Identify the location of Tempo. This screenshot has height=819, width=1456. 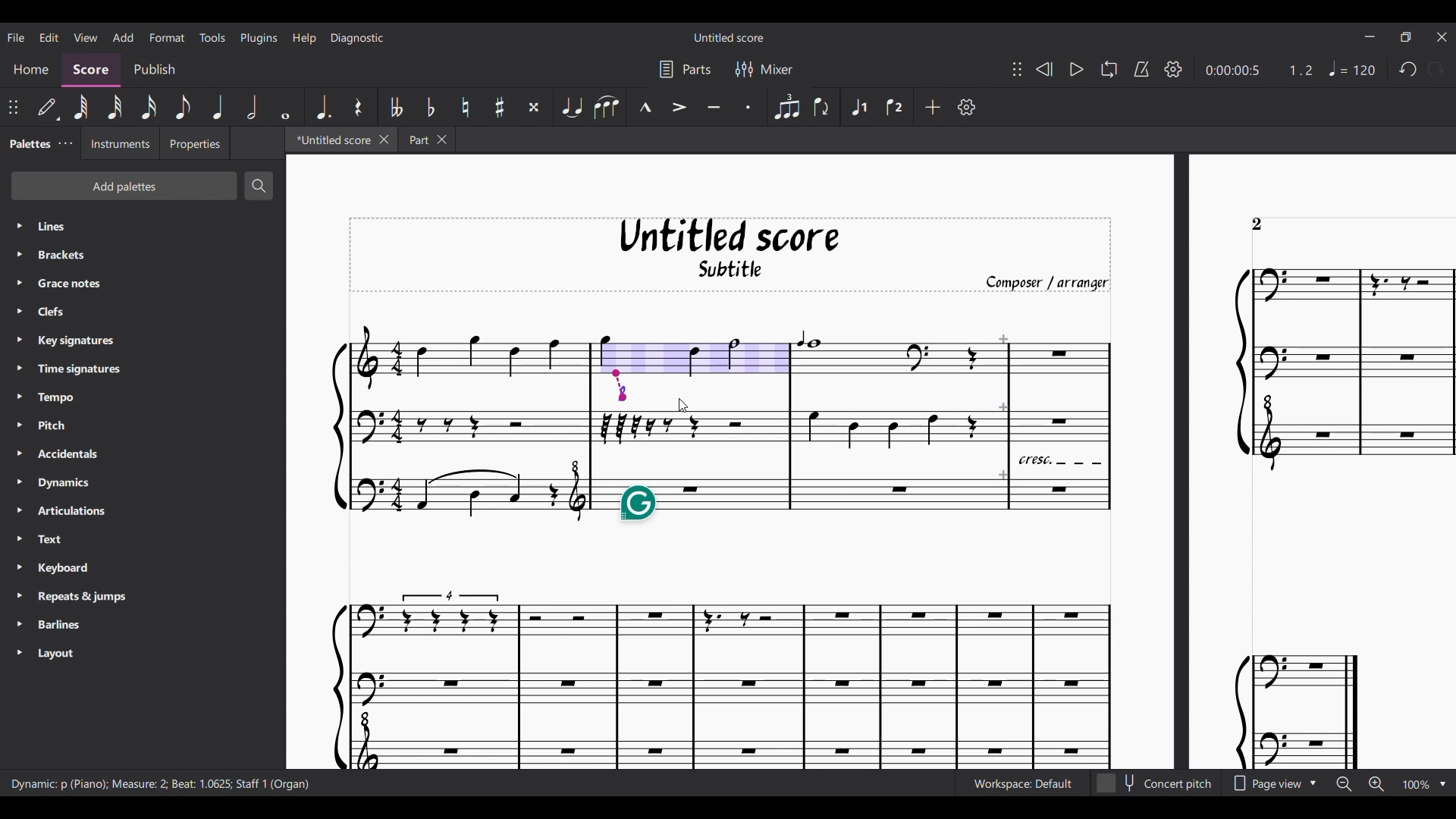
(1352, 68).